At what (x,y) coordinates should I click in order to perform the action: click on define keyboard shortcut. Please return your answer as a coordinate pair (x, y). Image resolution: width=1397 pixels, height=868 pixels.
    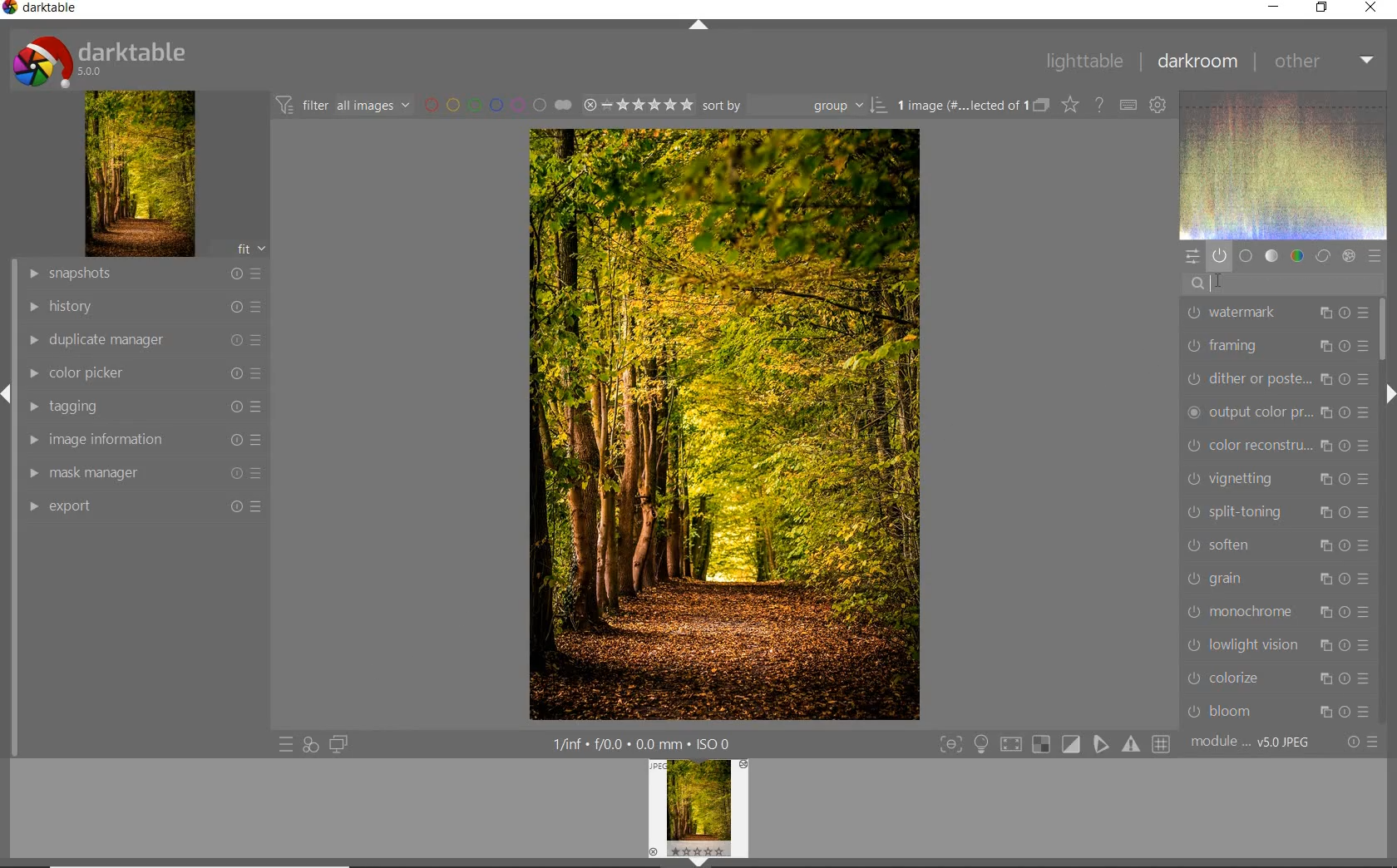
    Looking at the image, I should click on (1128, 106).